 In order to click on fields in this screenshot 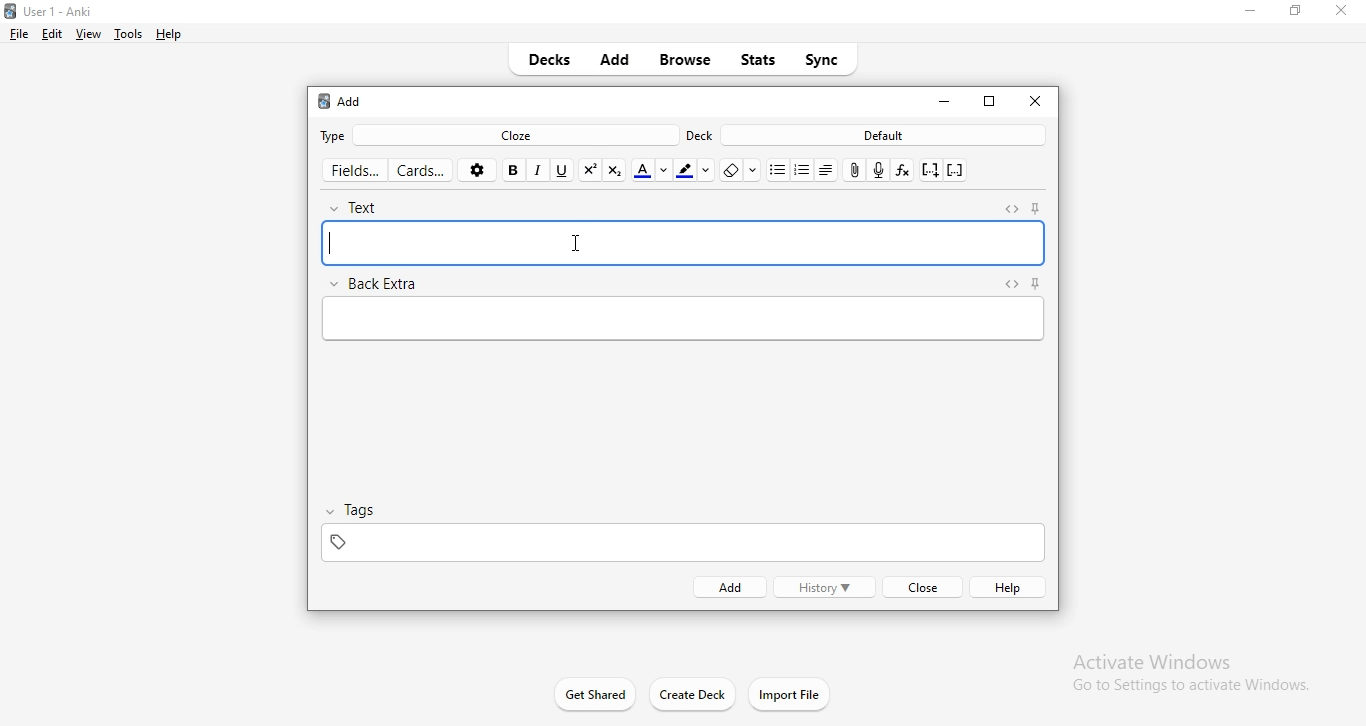, I will do `click(354, 167)`.